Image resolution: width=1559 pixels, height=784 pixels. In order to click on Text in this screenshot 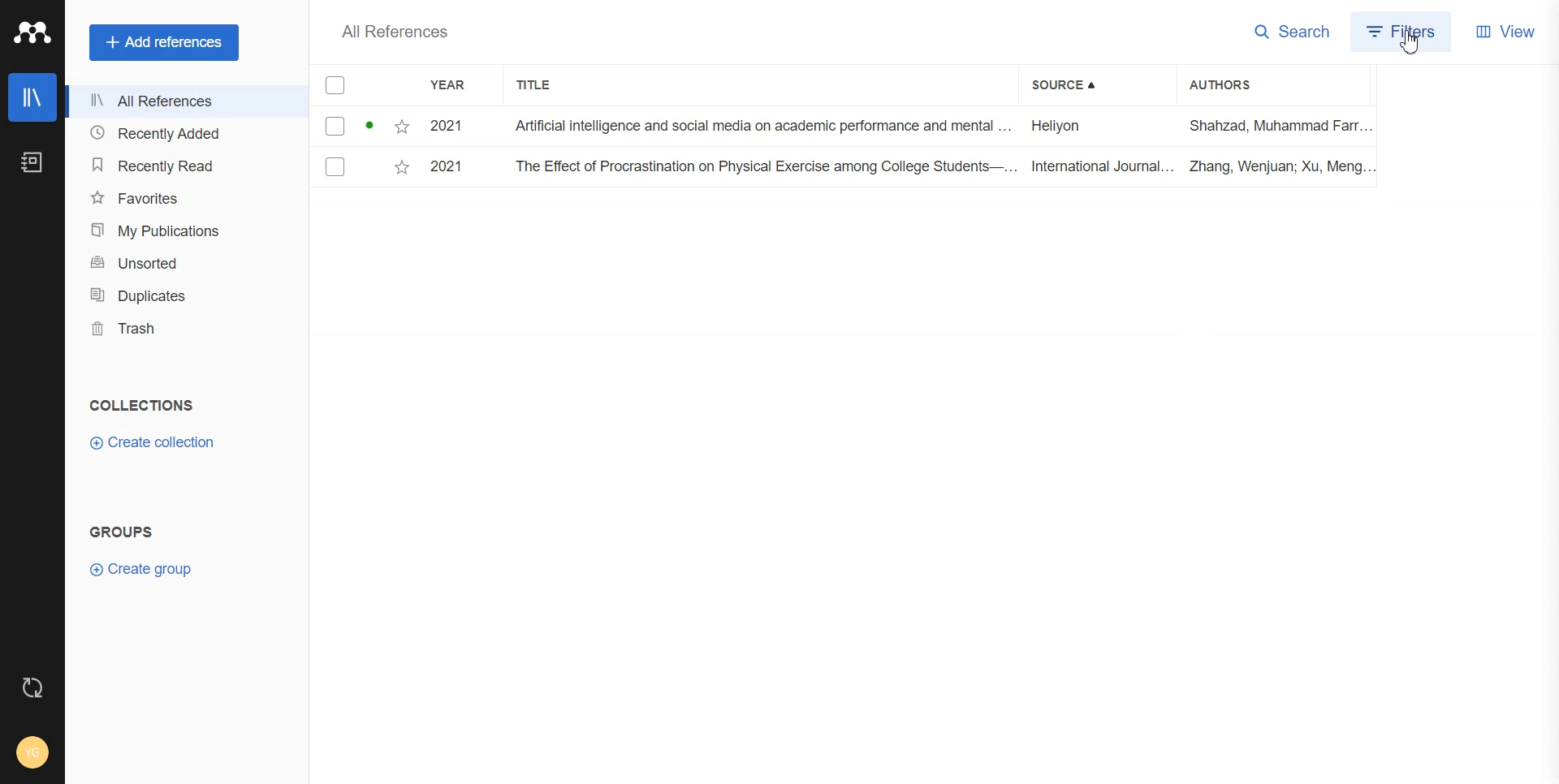, I will do `click(145, 405)`.